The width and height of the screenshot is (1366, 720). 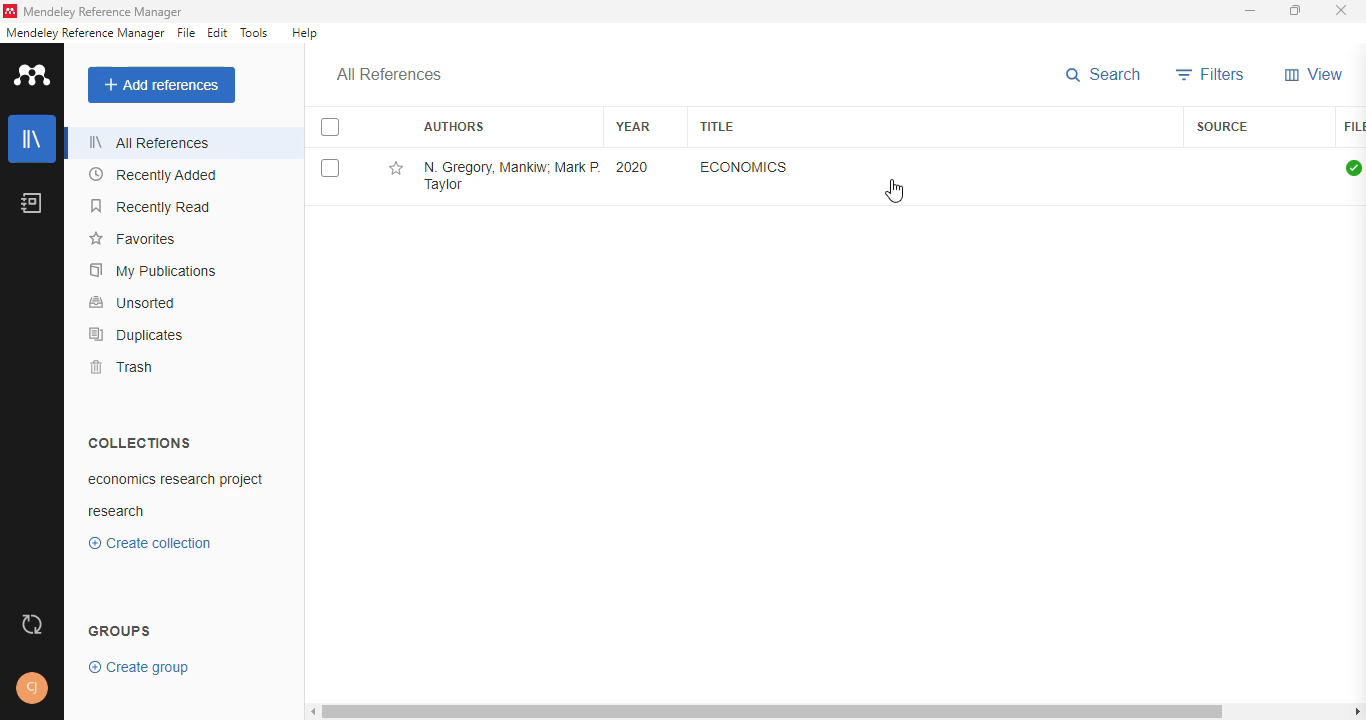 What do you see at coordinates (1212, 74) in the screenshot?
I see `filters` at bounding box center [1212, 74].